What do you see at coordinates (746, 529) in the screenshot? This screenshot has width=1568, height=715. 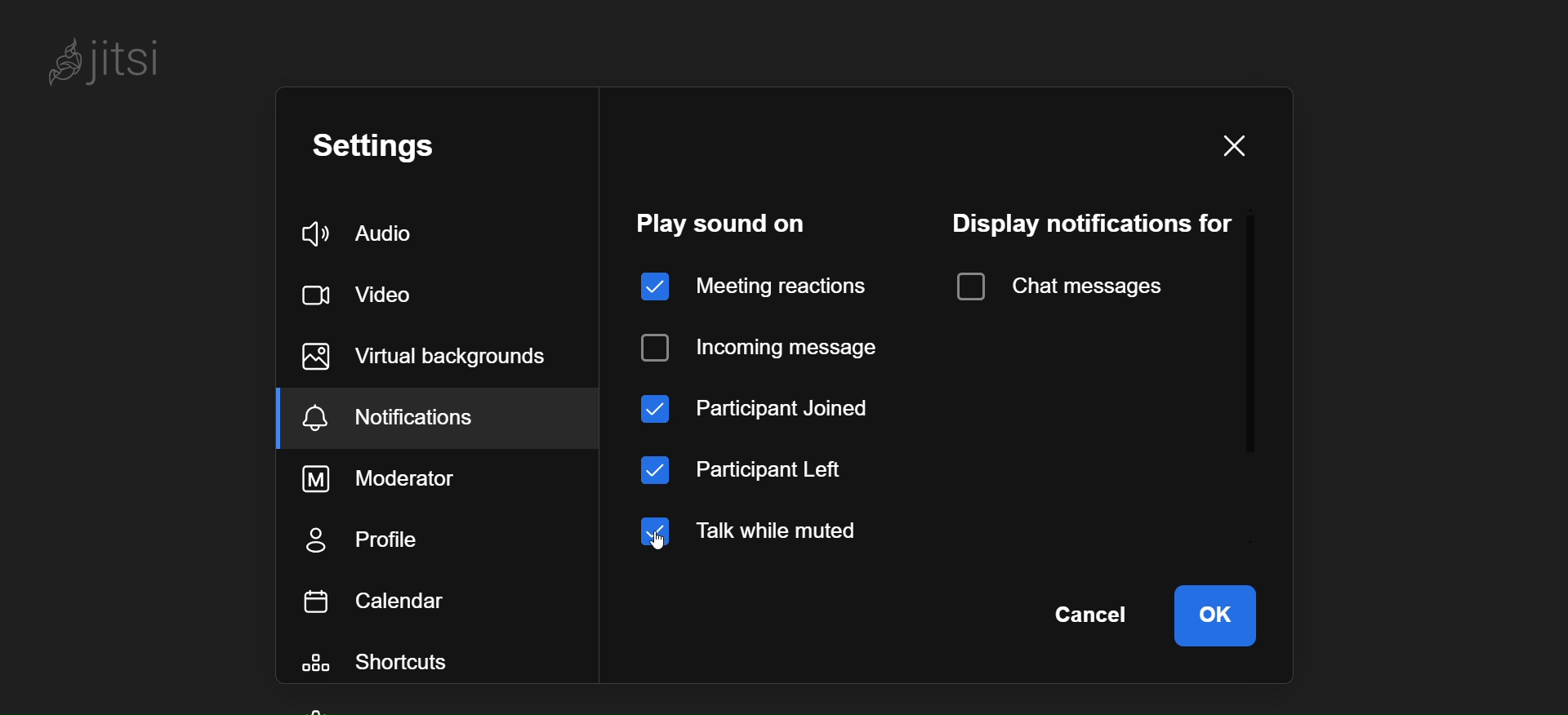 I see `talk while muted` at bounding box center [746, 529].